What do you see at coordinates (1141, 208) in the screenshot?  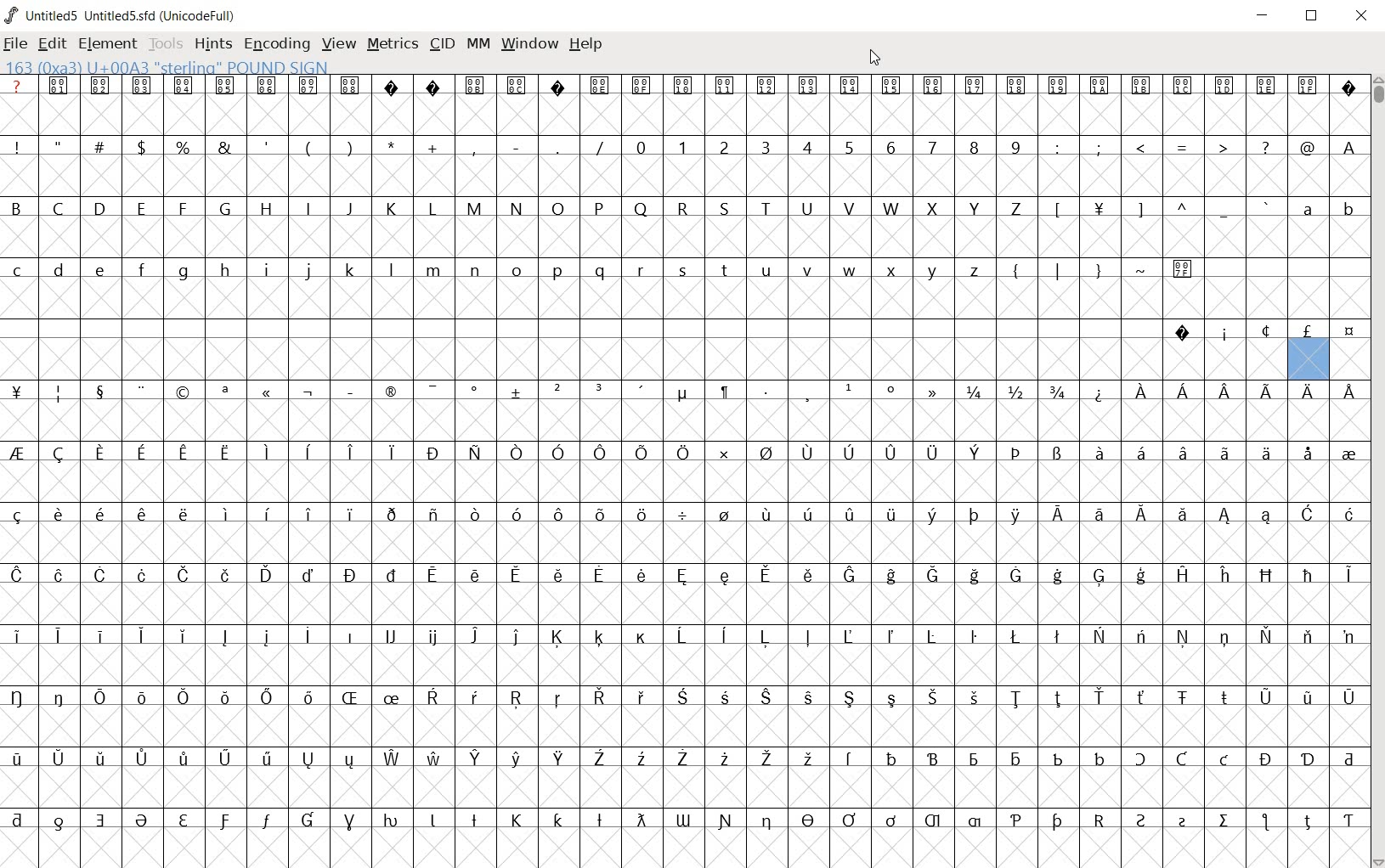 I see `]` at bounding box center [1141, 208].